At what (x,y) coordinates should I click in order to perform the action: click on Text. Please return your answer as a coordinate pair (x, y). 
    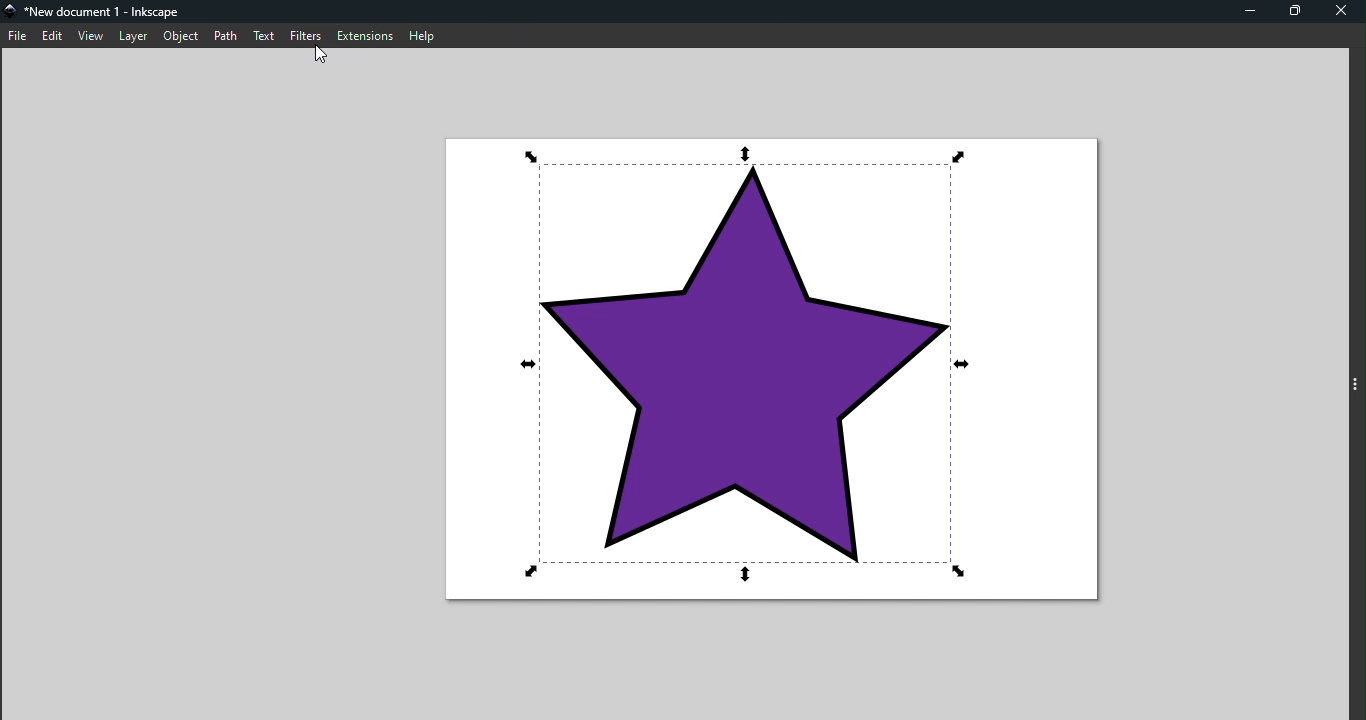
    Looking at the image, I should click on (264, 38).